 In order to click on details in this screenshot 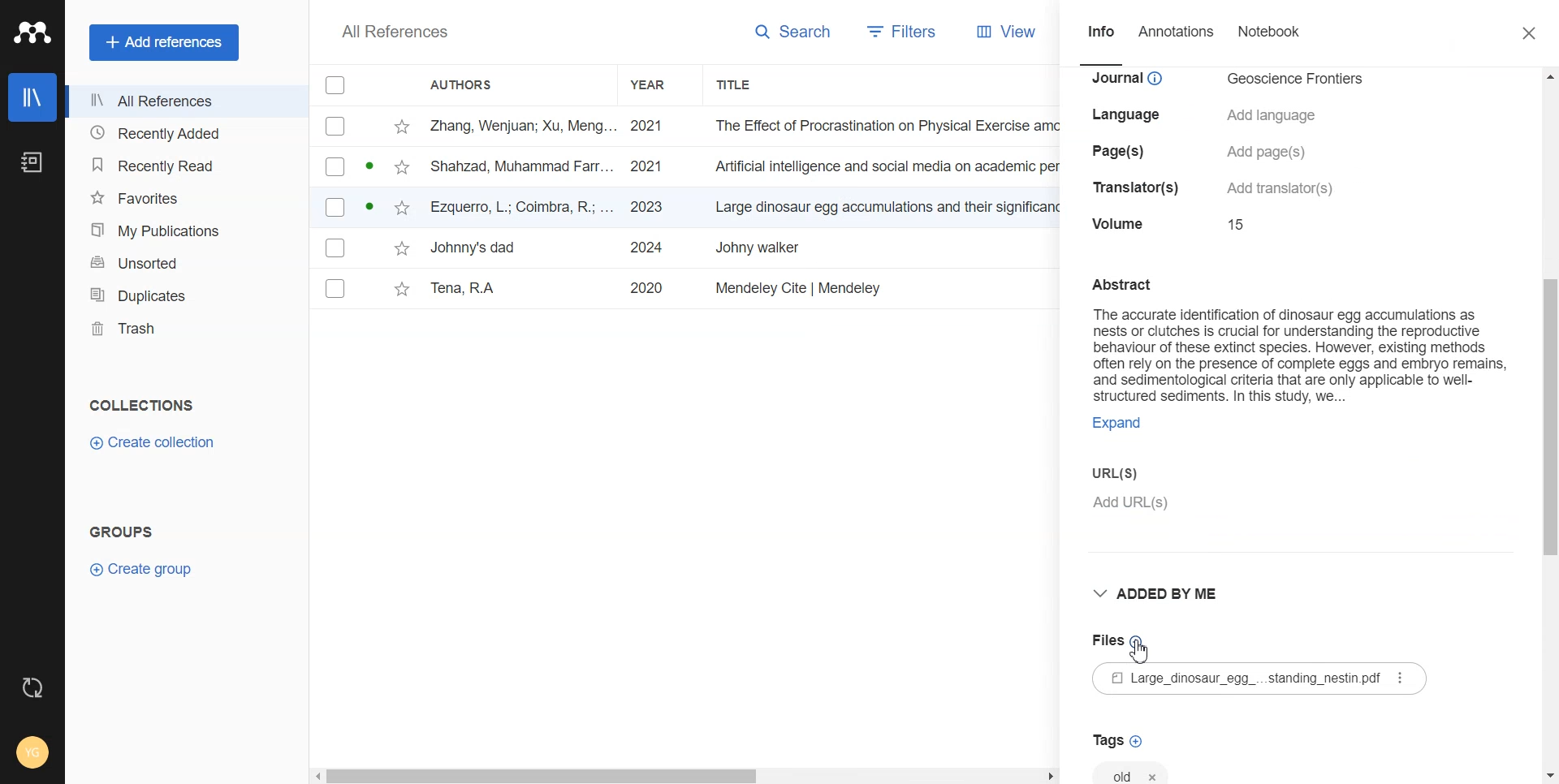, I will do `click(1273, 116)`.